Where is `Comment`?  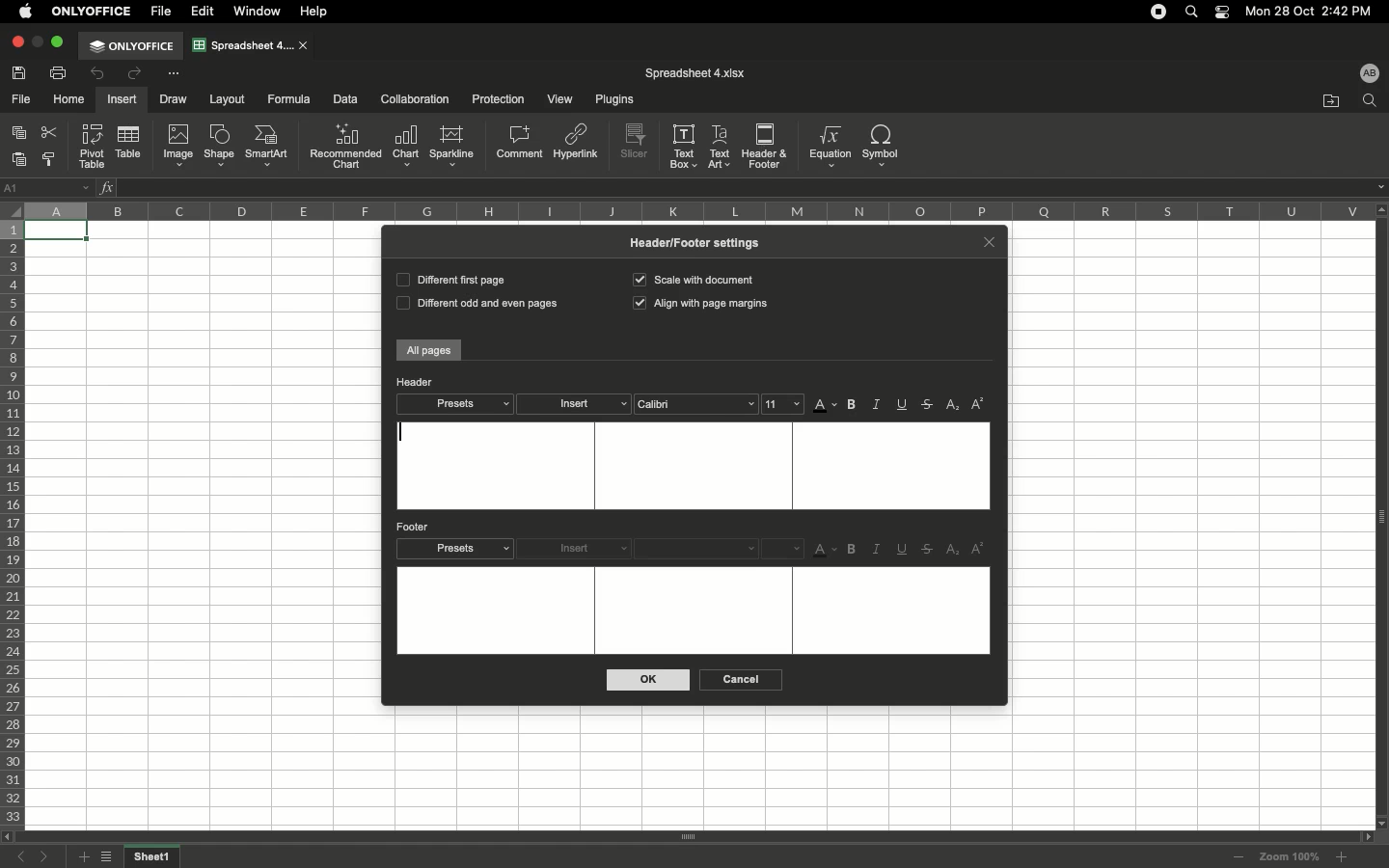 Comment is located at coordinates (521, 144).